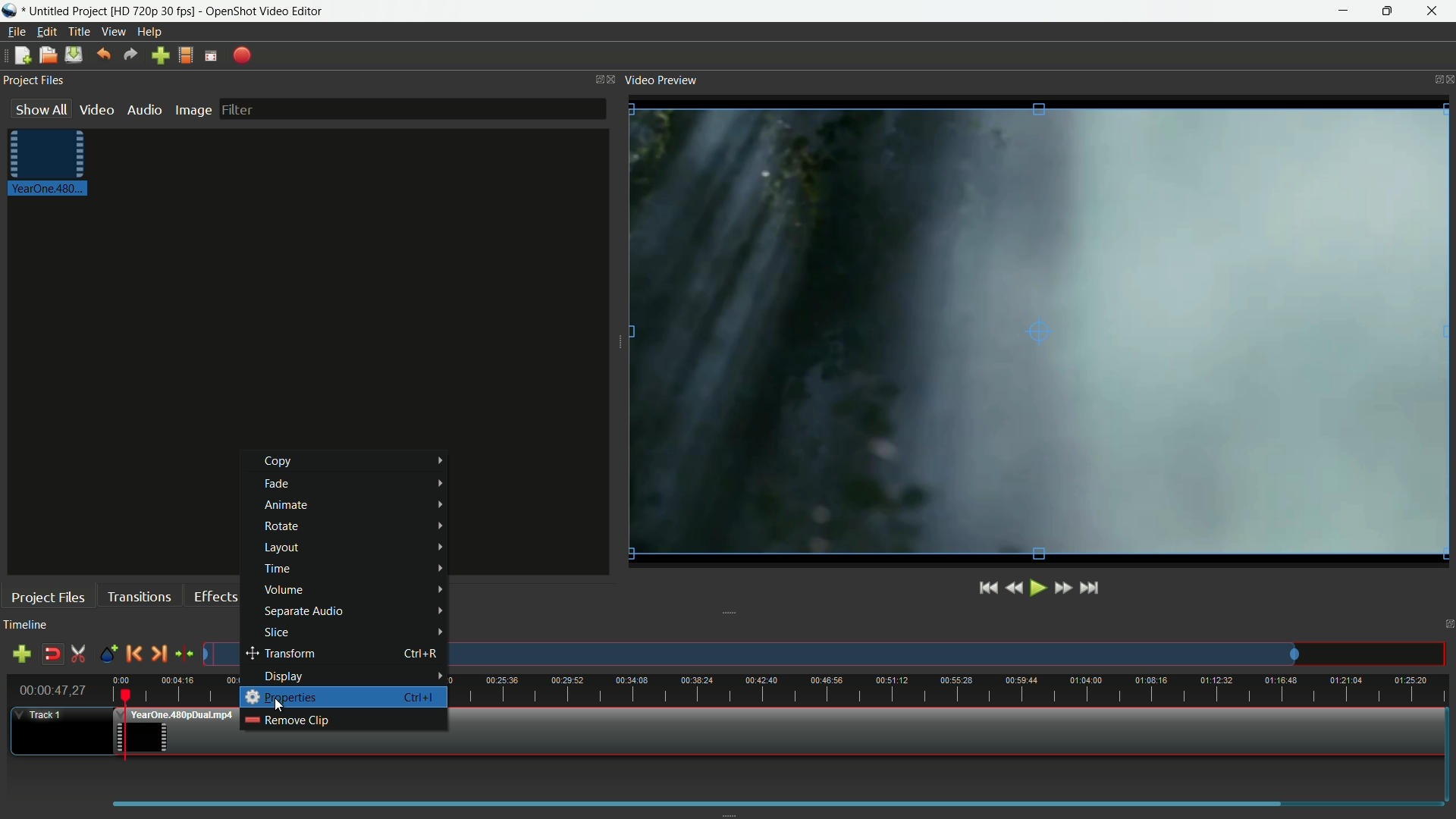 This screenshot has height=819, width=1456. I want to click on rotate, so click(350, 526).